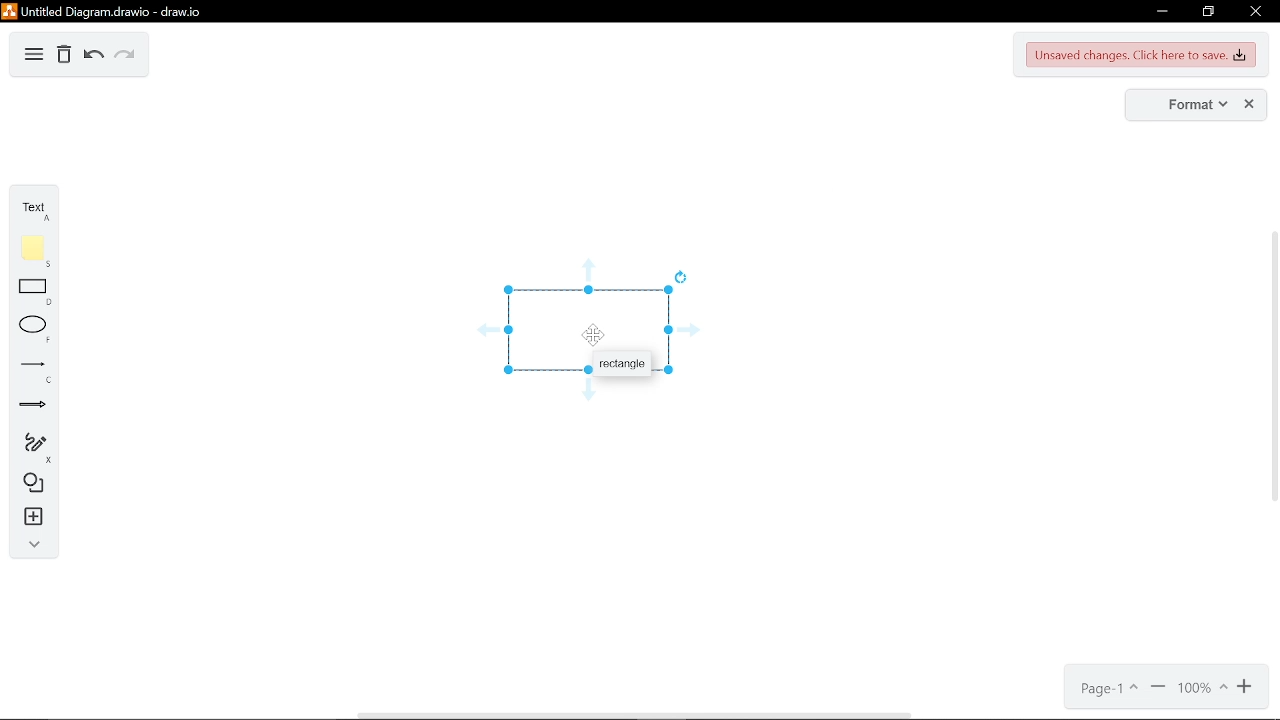  I want to click on cursor, so click(594, 334).